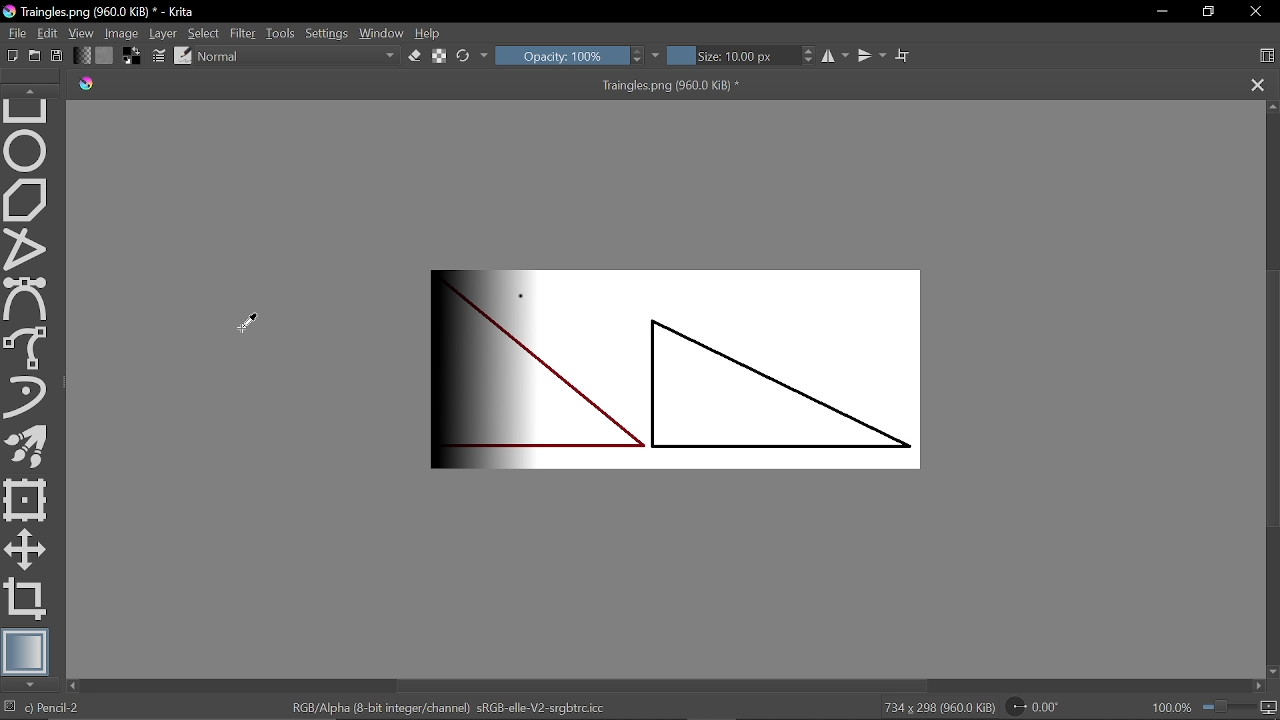 The image size is (1280, 720). What do you see at coordinates (1258, 83) in the screenshot?
I see `Close tab` at bounding box center [1258, 83].